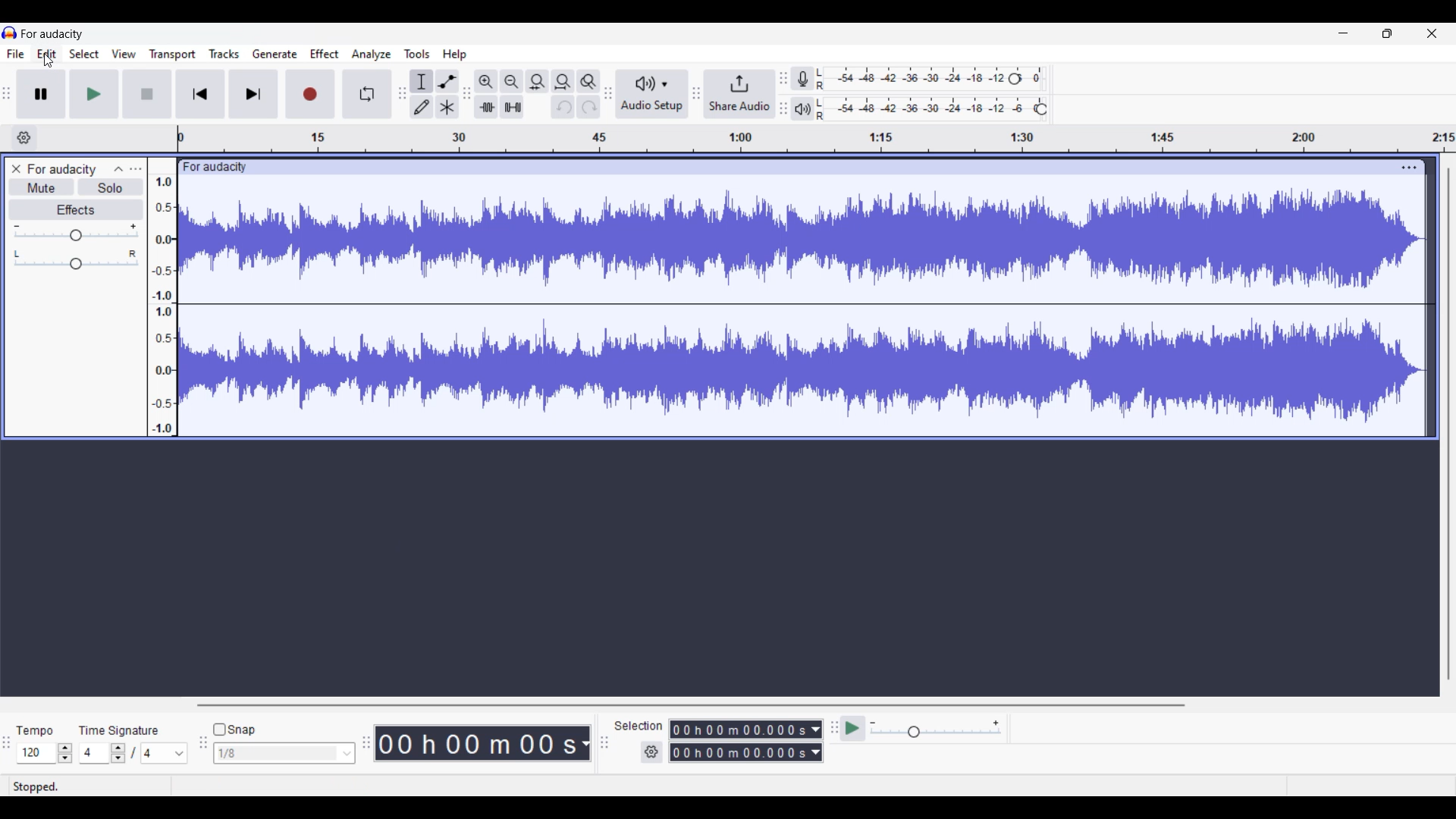 The height and width of the screenshot is (819, 1456). Describe the element at coordinates (936, 729) in the screenshot. I see `Scale to change playback speed` at that location.